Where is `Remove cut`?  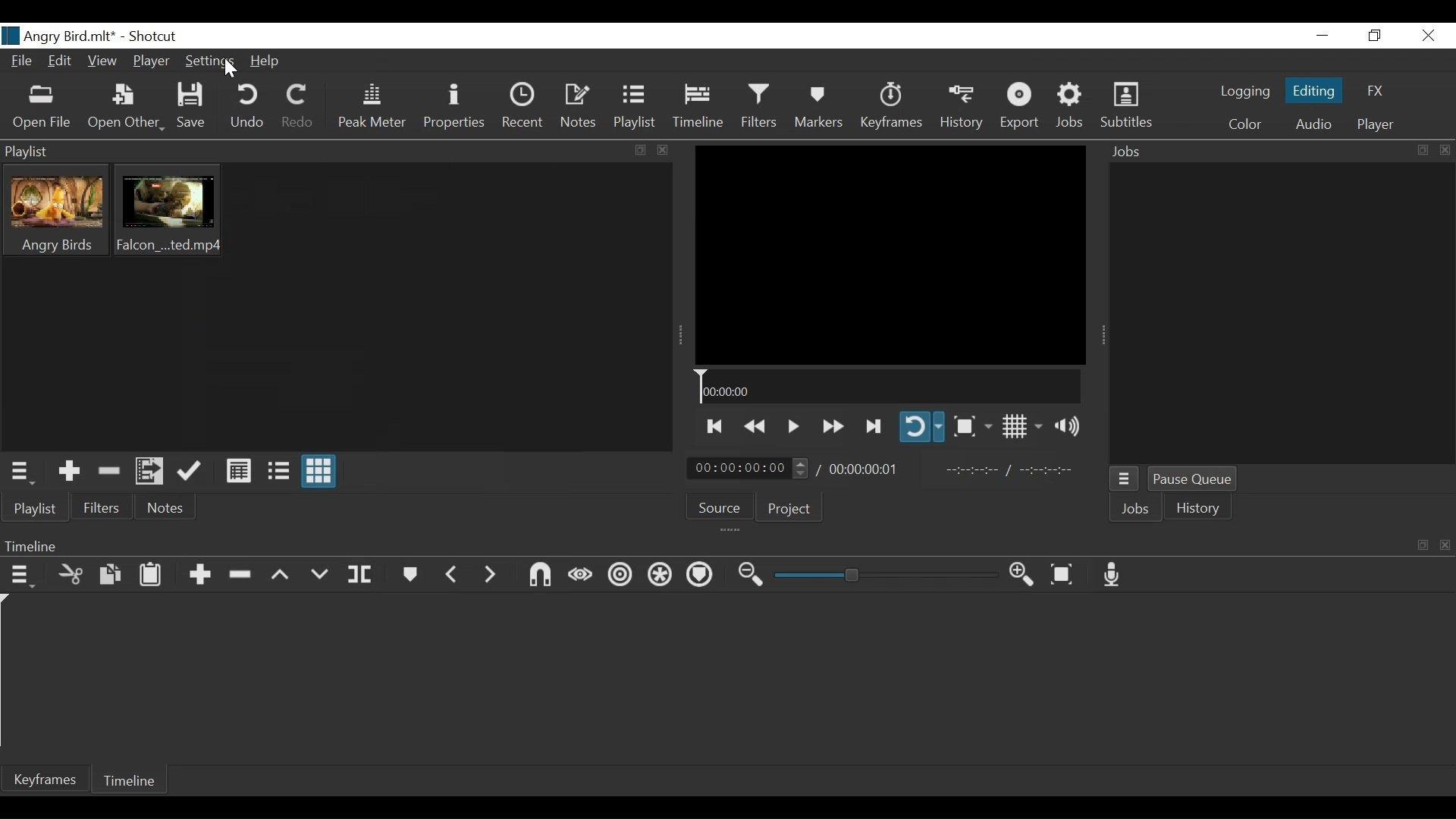
Remove cut is located at coordinates (110, 473).